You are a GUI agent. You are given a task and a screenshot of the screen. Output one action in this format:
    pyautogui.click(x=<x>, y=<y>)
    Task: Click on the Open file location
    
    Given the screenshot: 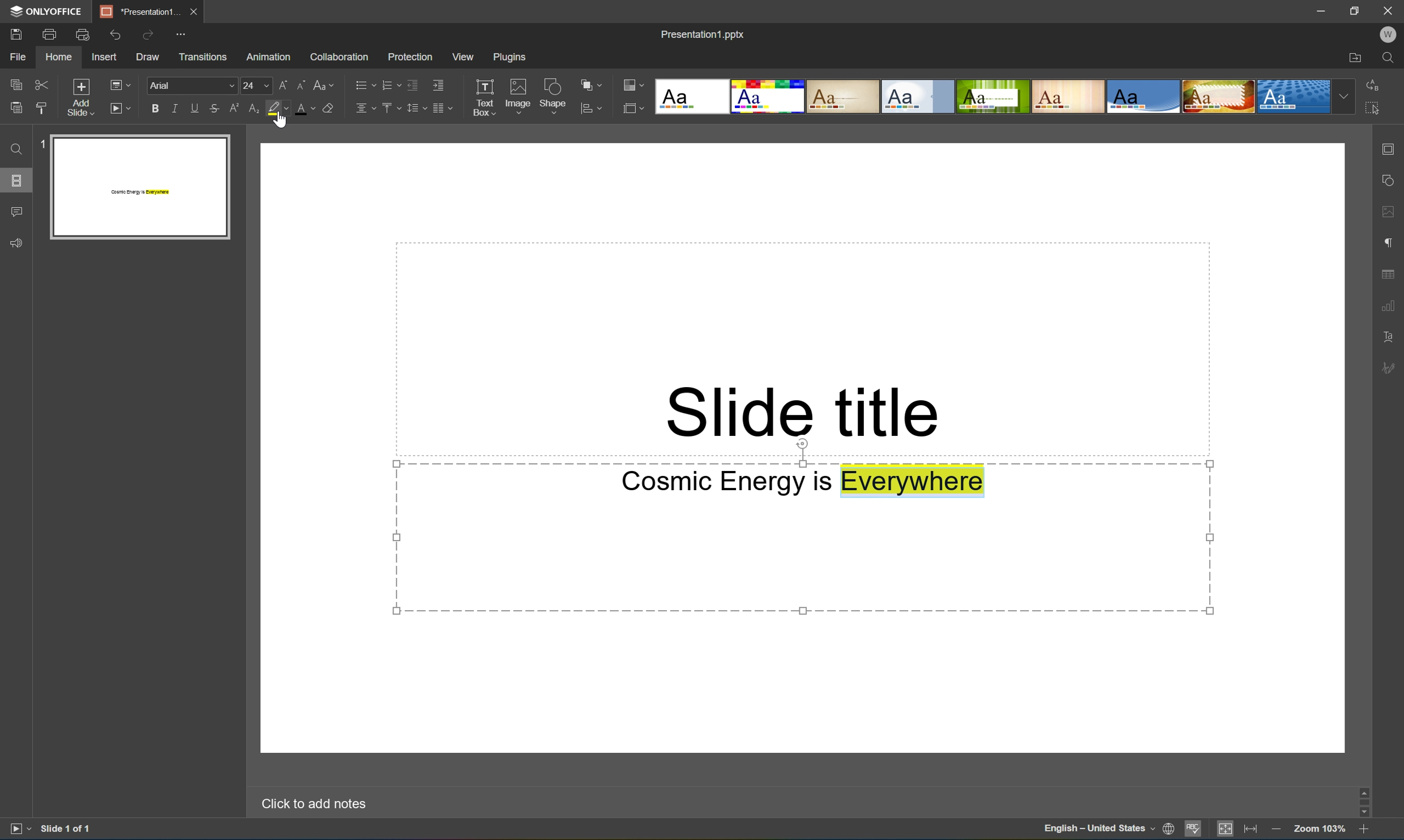 What is the action you would take?
    pyautogui.click(x=1355, y=57)
    